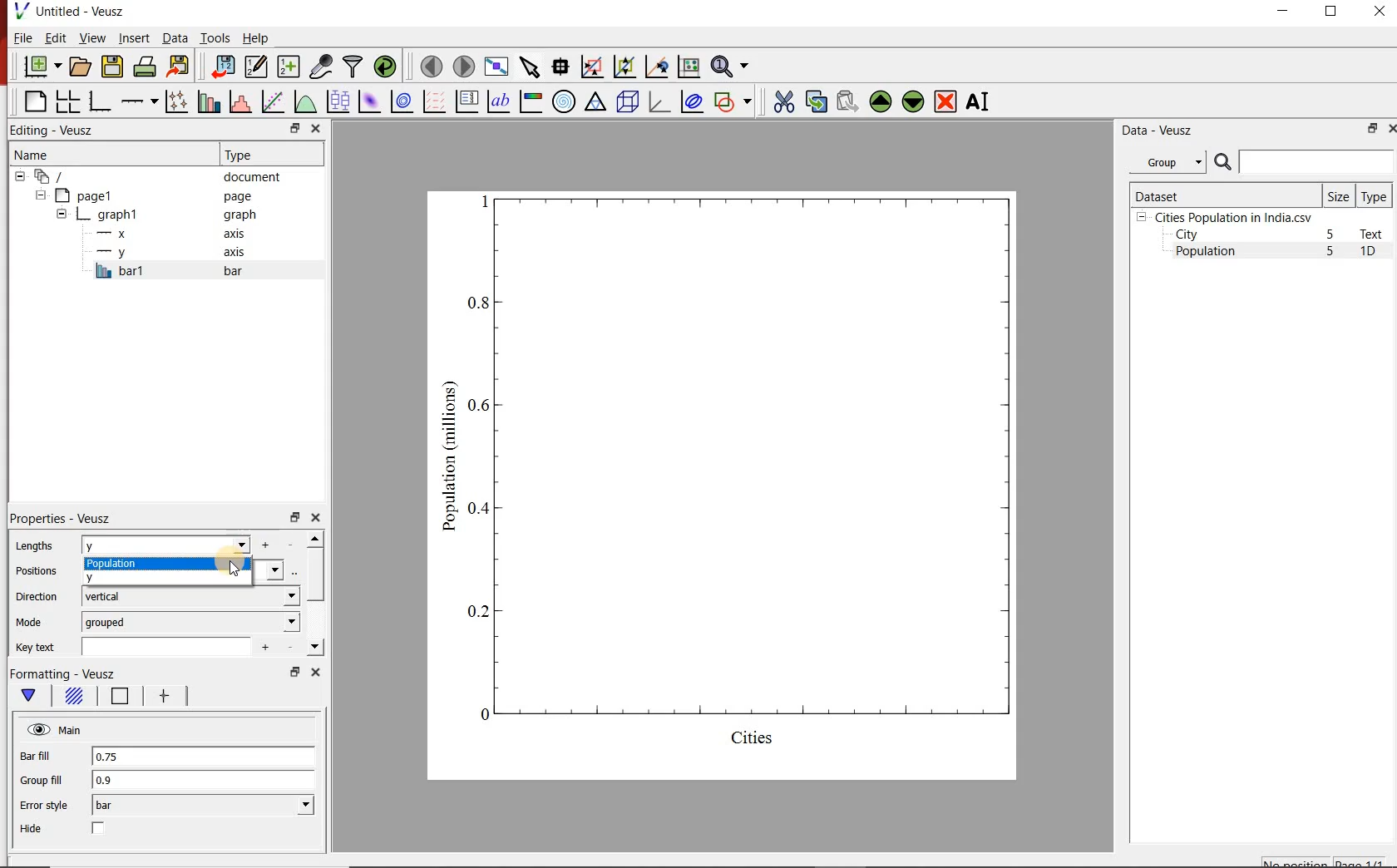 Image resolution: width=1397 pixels, height=868 pixels. Describe the element at coordinates (206, 101) in the screenshot. I see `plot bar charts` at that location.